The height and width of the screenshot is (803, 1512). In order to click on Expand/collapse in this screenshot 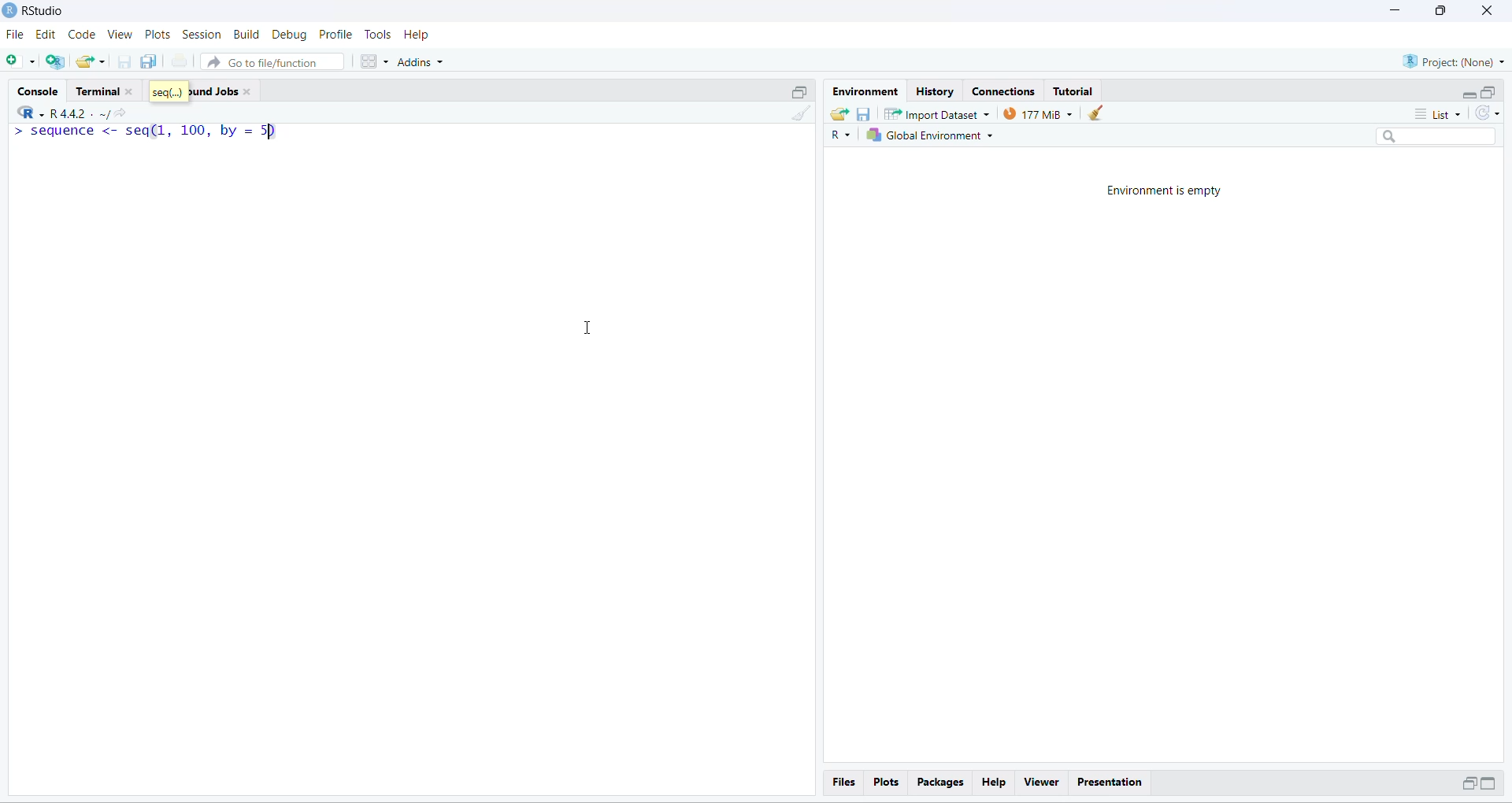, I will do `click(1488, 783)`.